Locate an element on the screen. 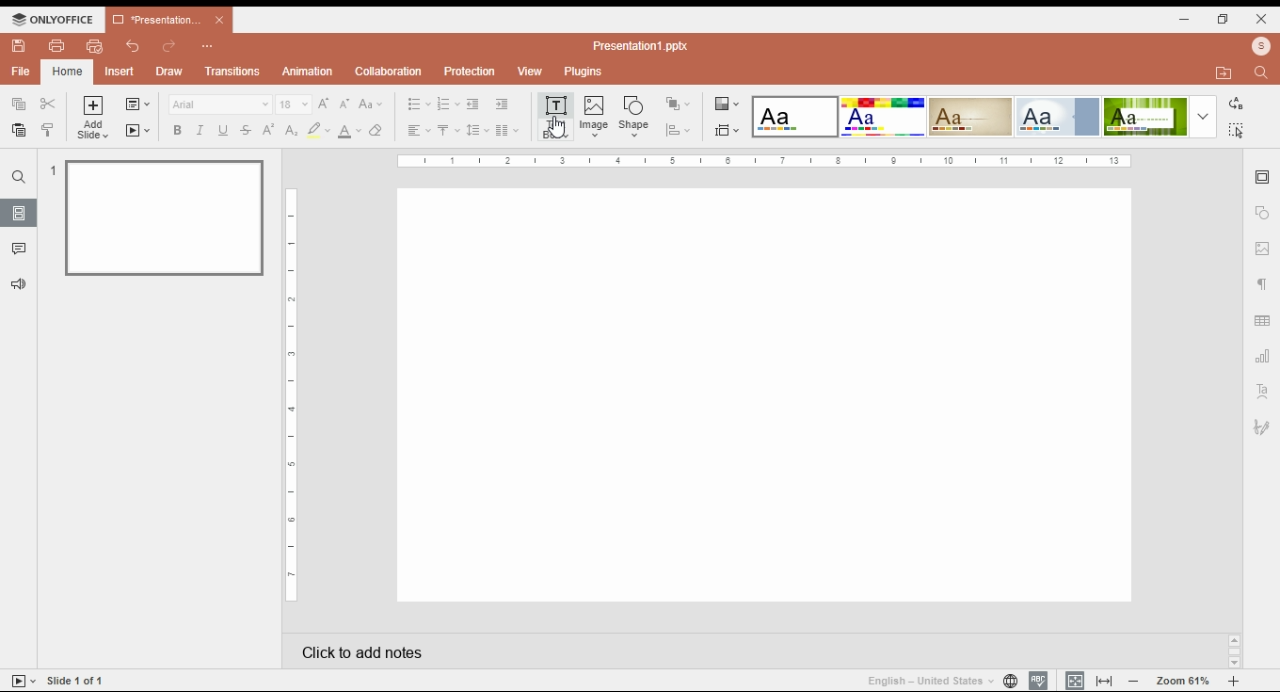  bullets is located at coordinates (418, 103).